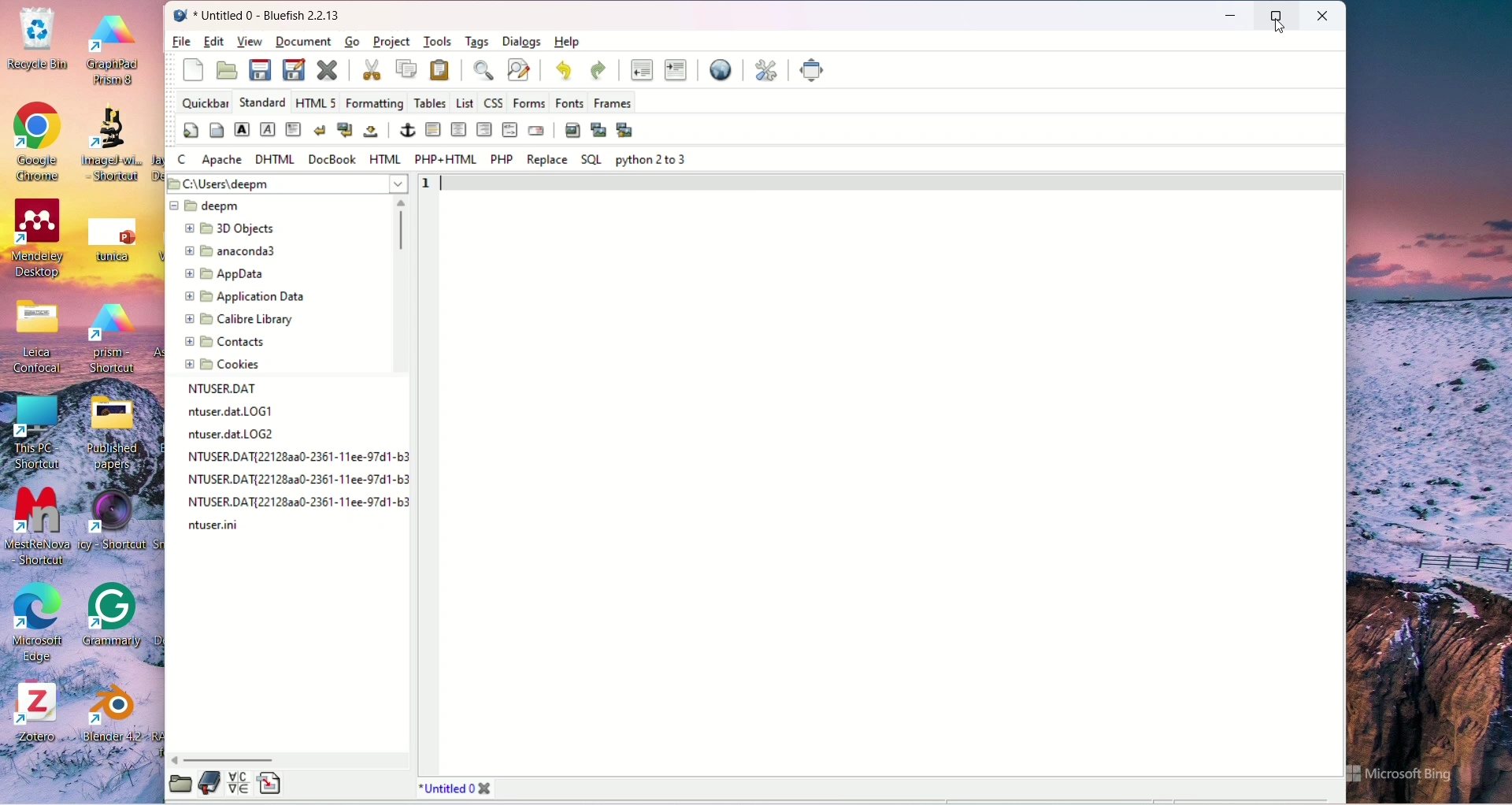 Image resolution: width=1512 pixels, height=805 pixels. I want to click on HTML 5, so click(315, 101).